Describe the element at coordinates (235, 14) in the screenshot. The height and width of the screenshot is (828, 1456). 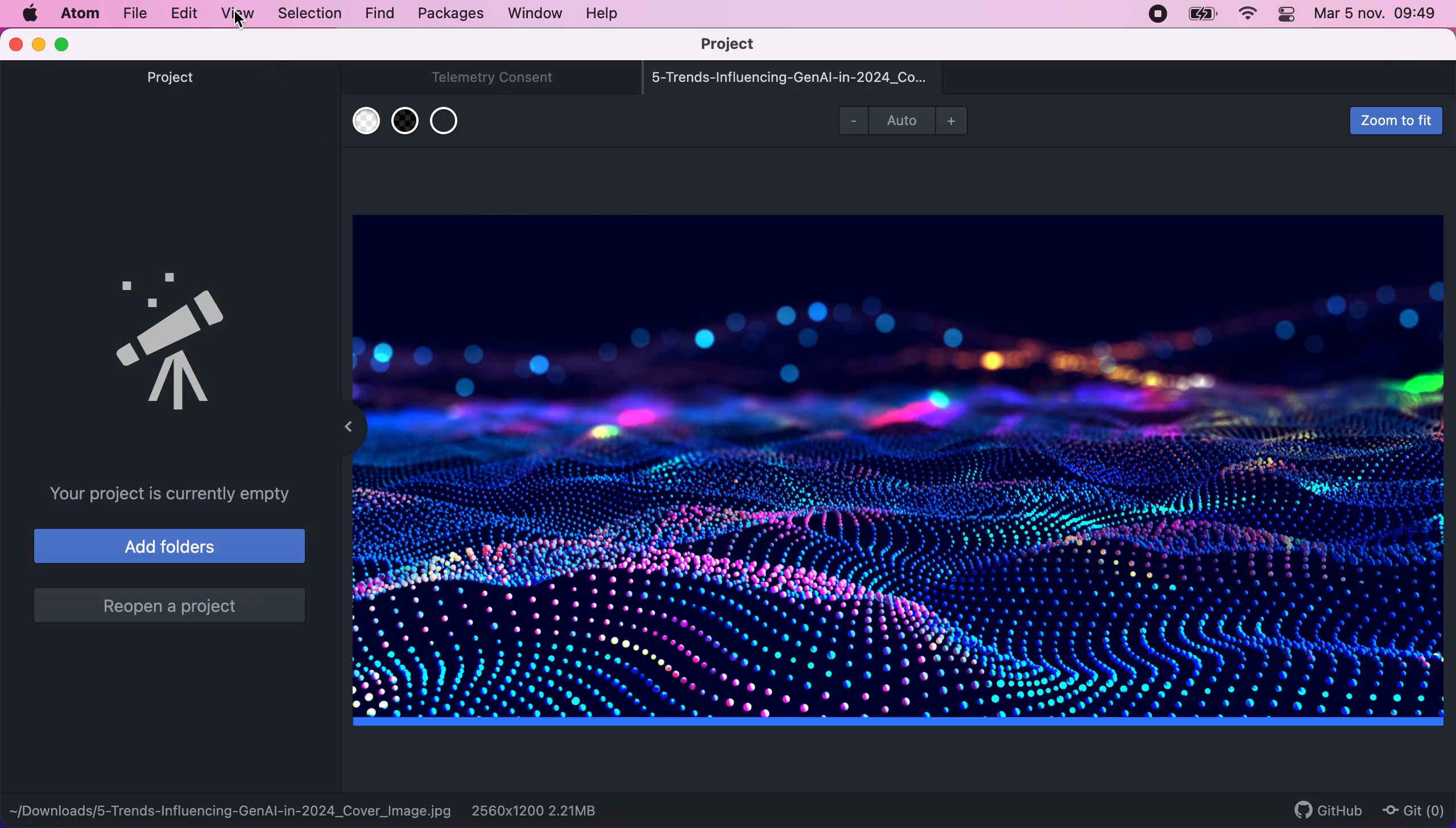
I see `view` at that location.